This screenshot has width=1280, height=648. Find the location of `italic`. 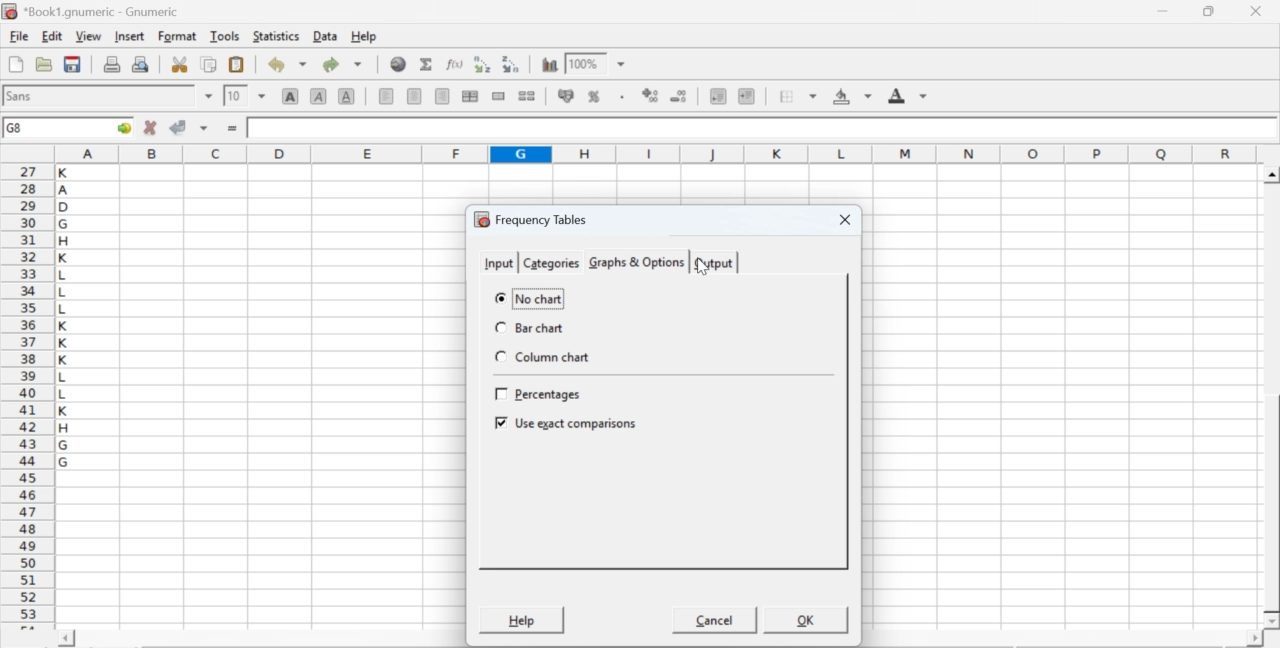

italic is located at coordinates (320, 95).